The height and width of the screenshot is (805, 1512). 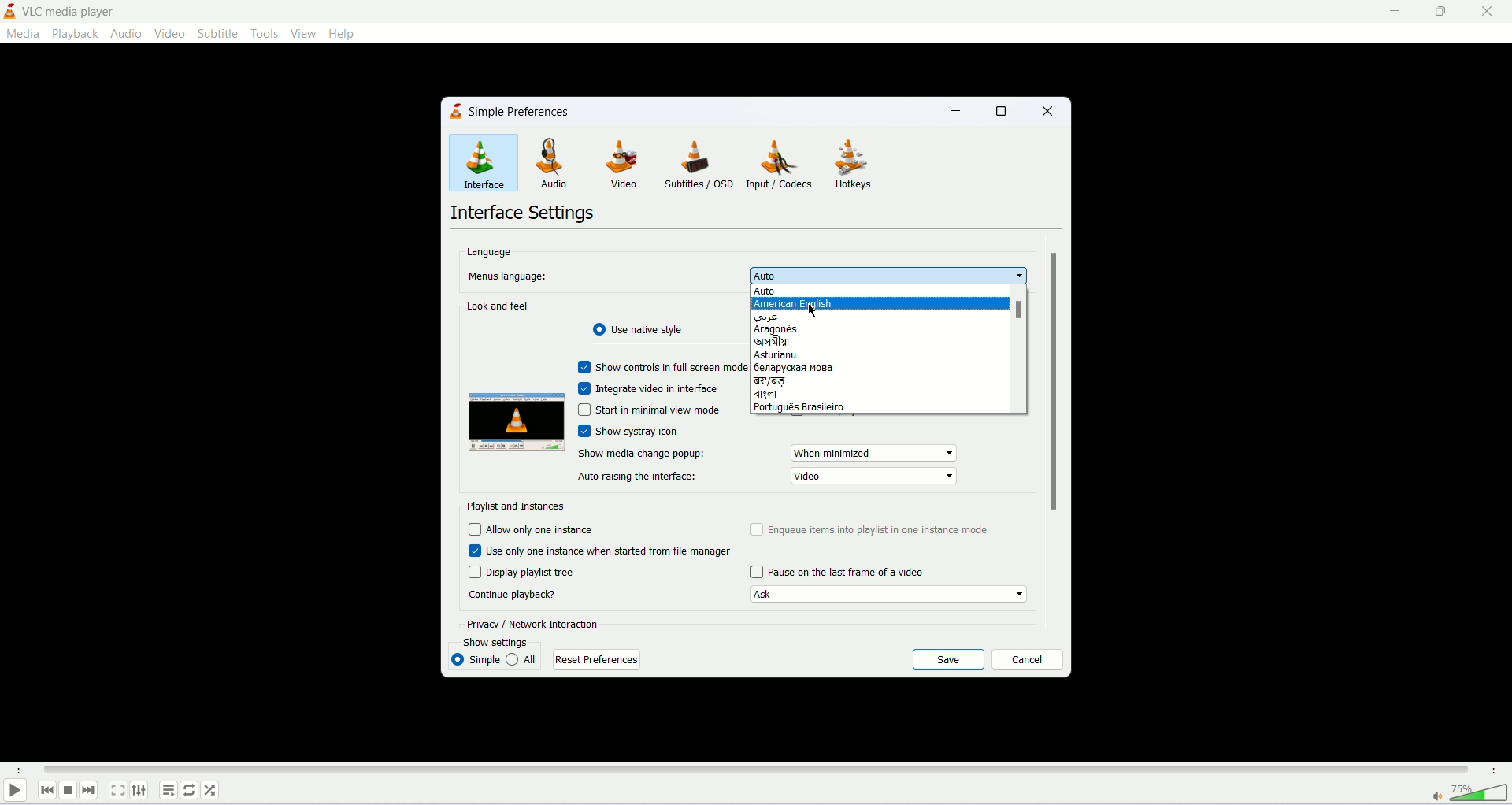 I want to click on Look and feel, so click(x=498, y=306).